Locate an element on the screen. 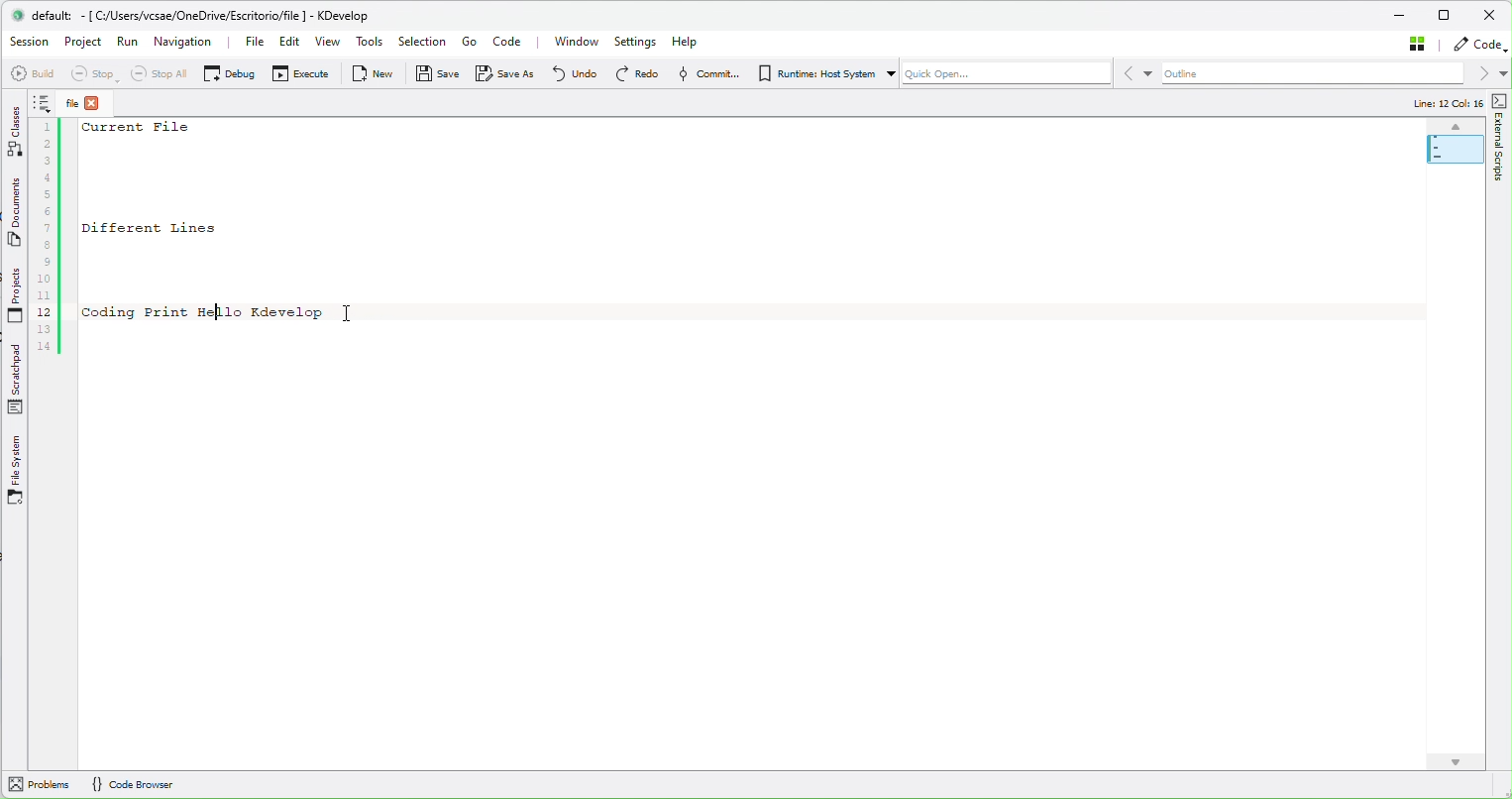  File System is located at coordinates (20, 471).